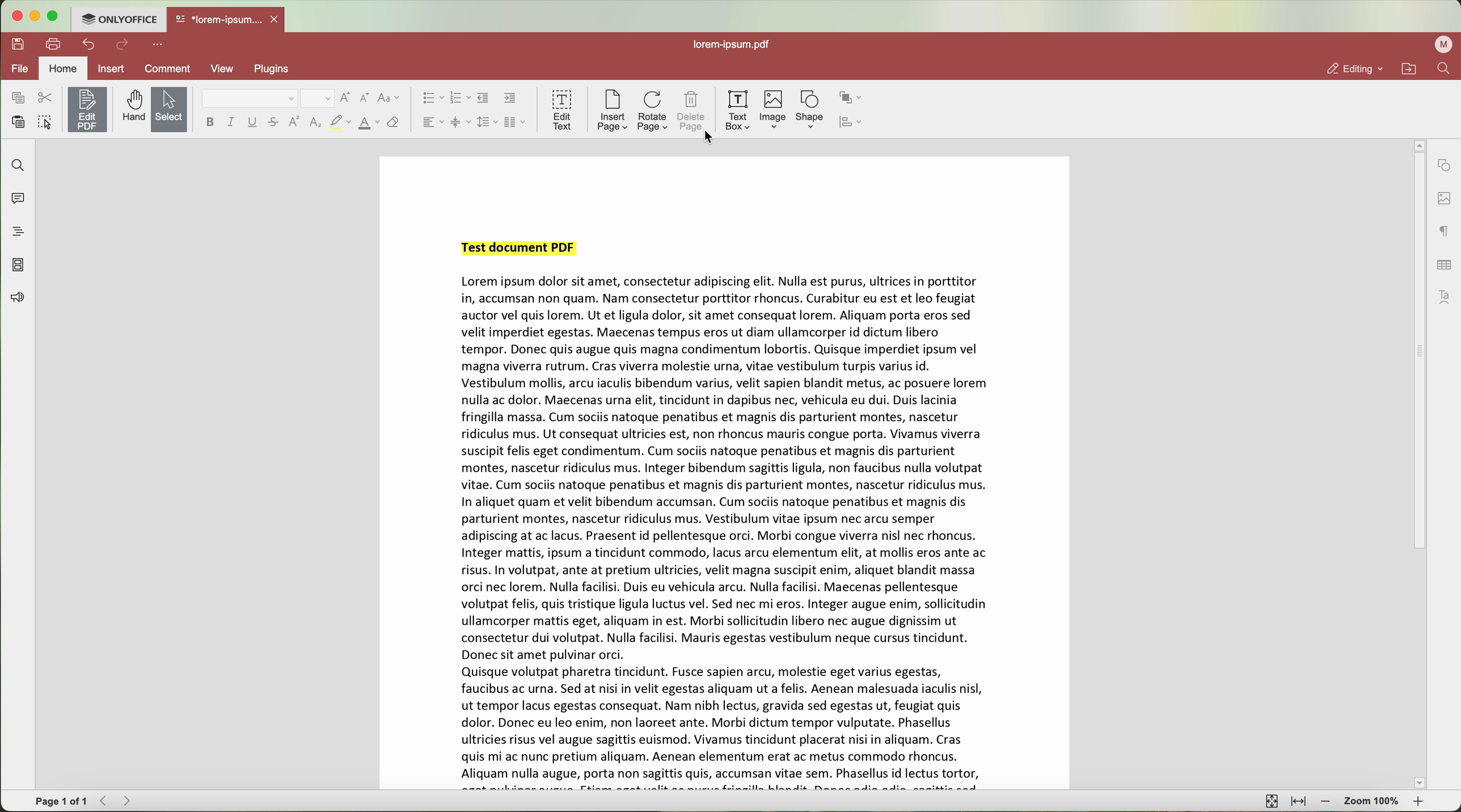 This screenshot has width=1461, height=812. I want to click on bold, so click(210, 122).